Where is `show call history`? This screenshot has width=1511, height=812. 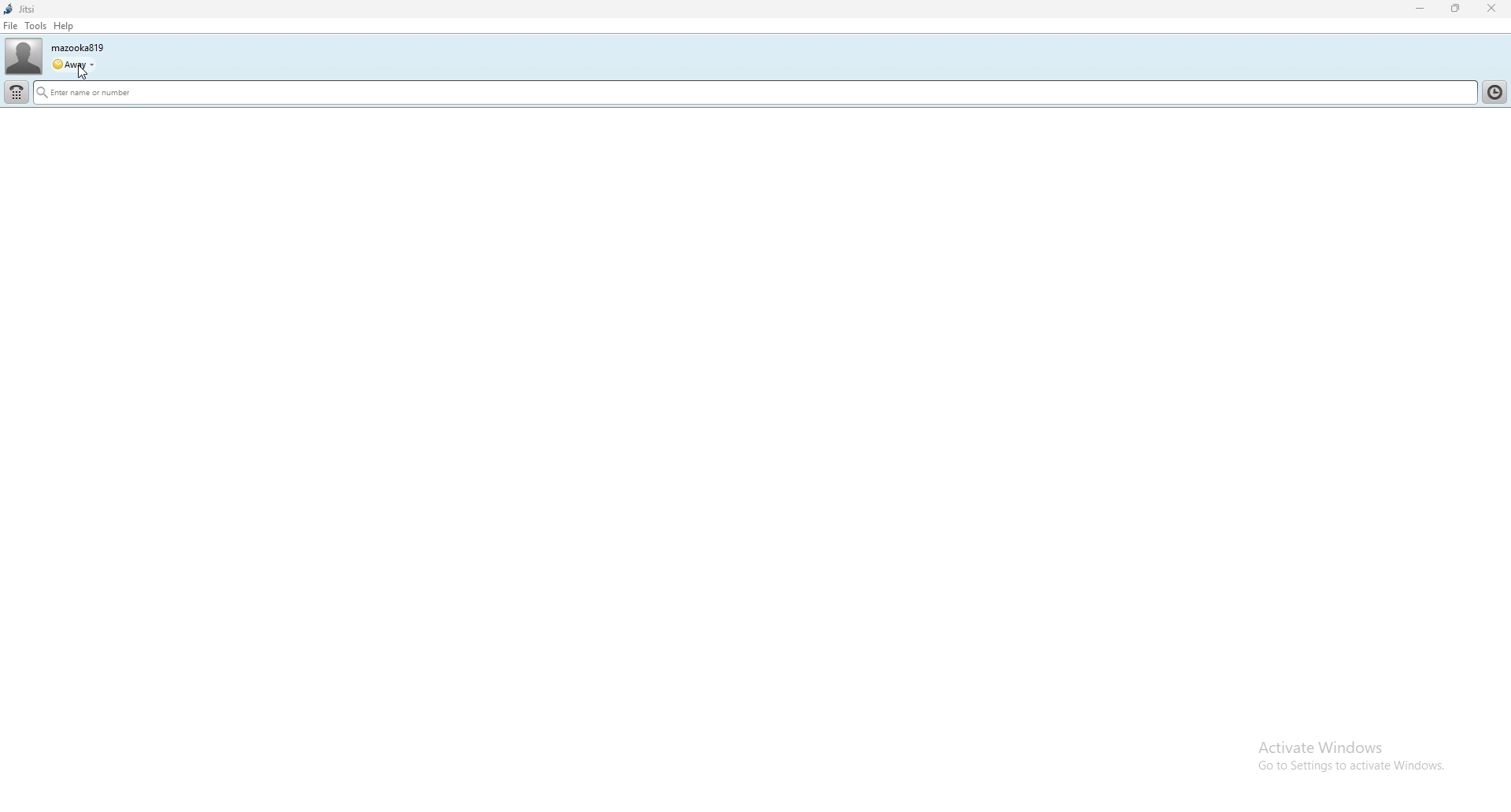 show call history is located at coordinates (1494, 92).